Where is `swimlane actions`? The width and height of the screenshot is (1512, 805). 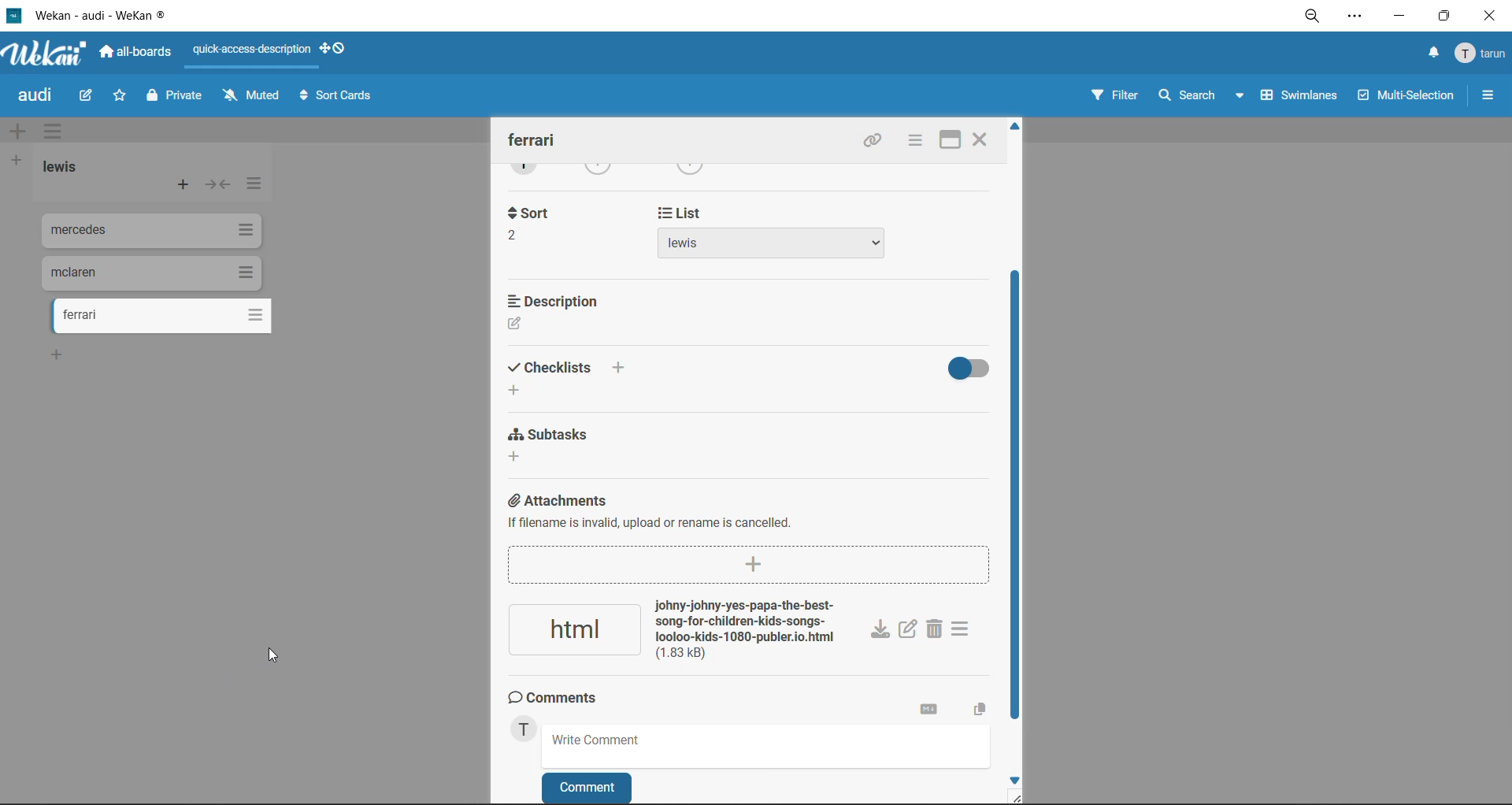
swimlane actions is located at coordinates (50, 129).